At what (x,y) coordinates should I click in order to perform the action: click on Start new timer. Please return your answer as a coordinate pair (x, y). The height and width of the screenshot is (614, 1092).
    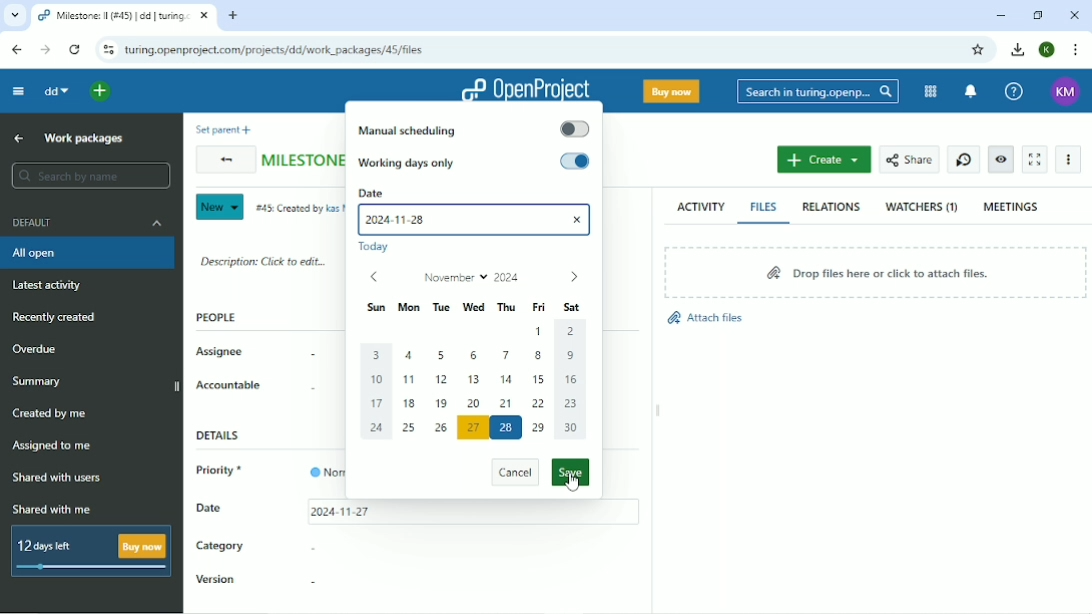
    Looking at the image, I should click on (964, 160).